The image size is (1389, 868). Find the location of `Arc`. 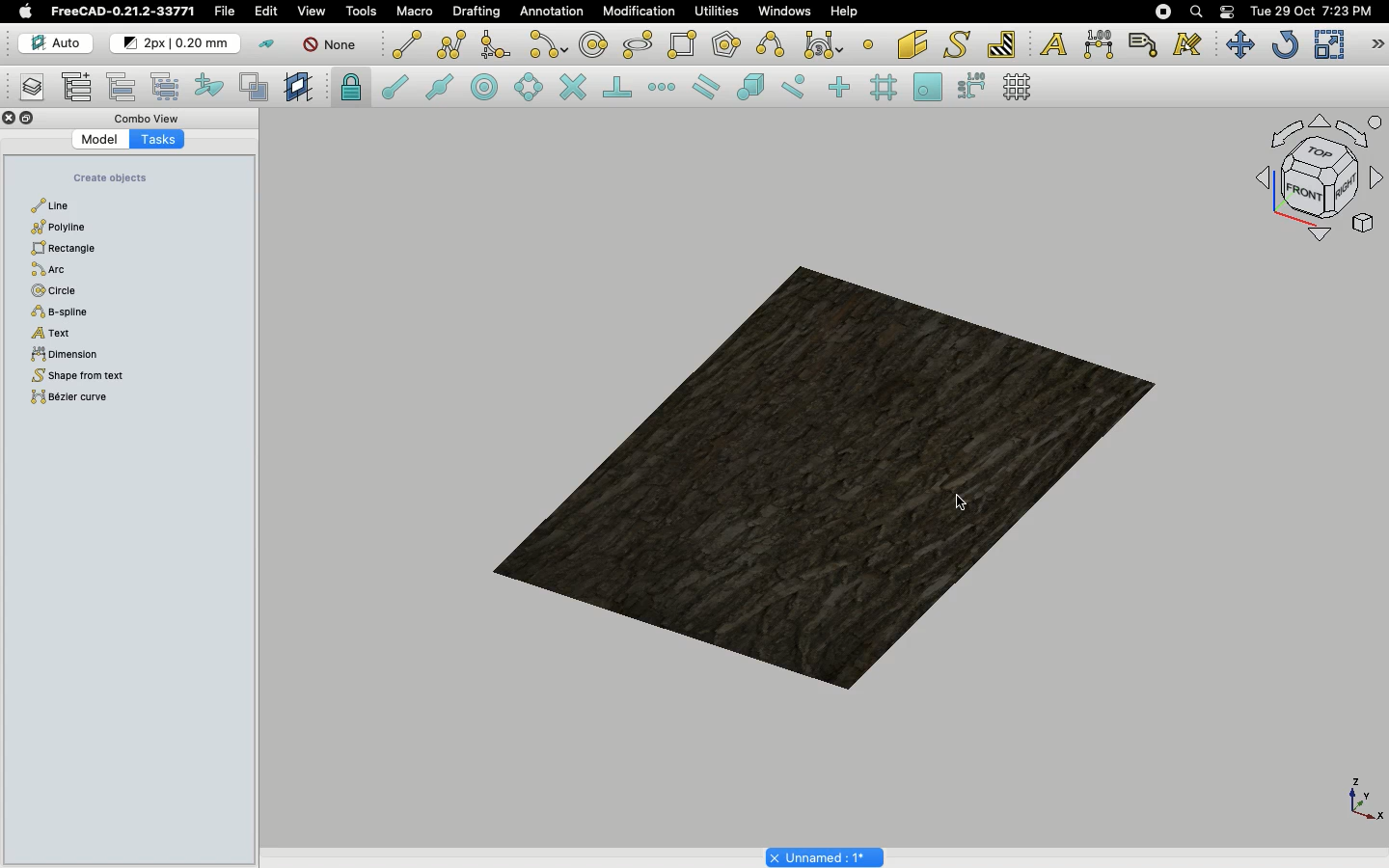

Arc is located at coordinates (44, 269).